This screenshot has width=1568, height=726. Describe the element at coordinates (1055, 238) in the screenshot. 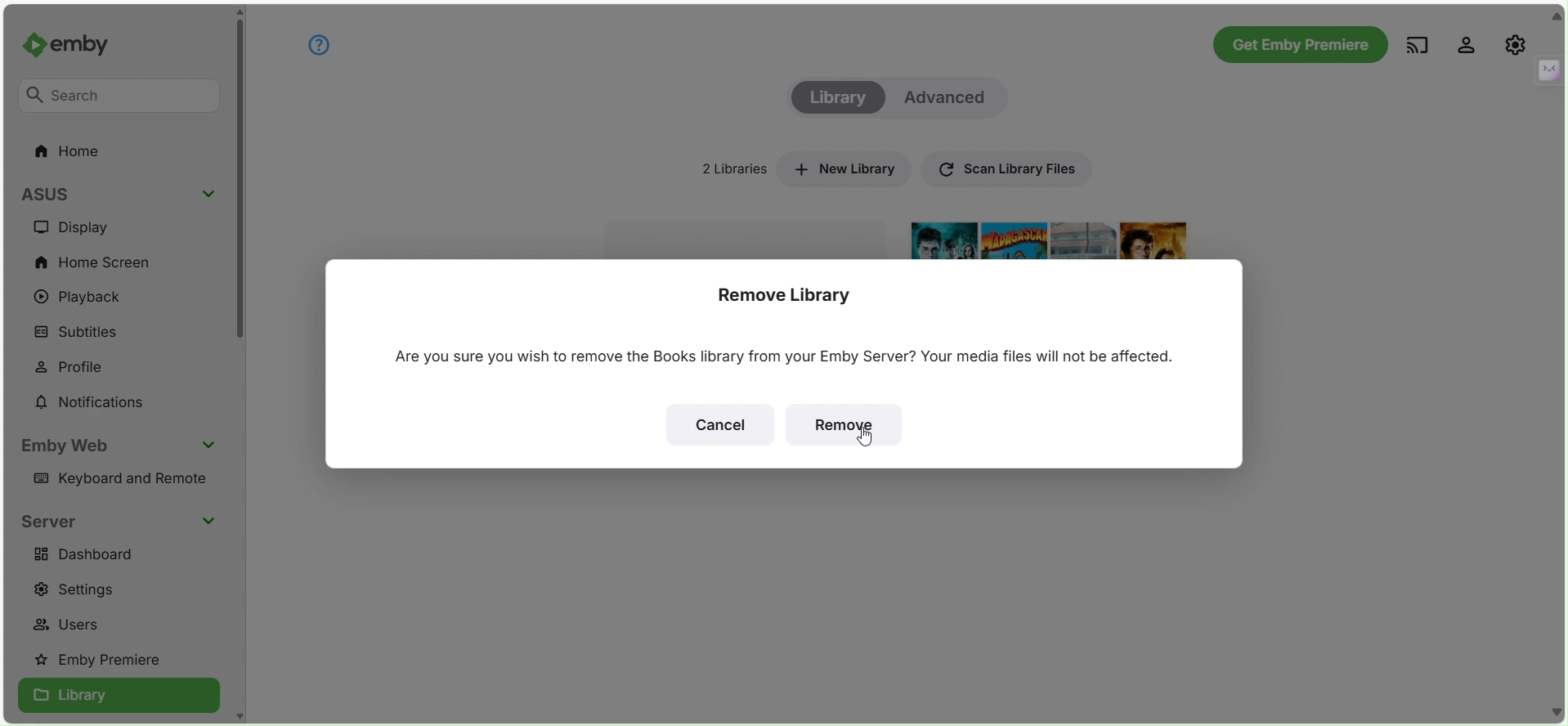

I see `library: Movies` at that location.